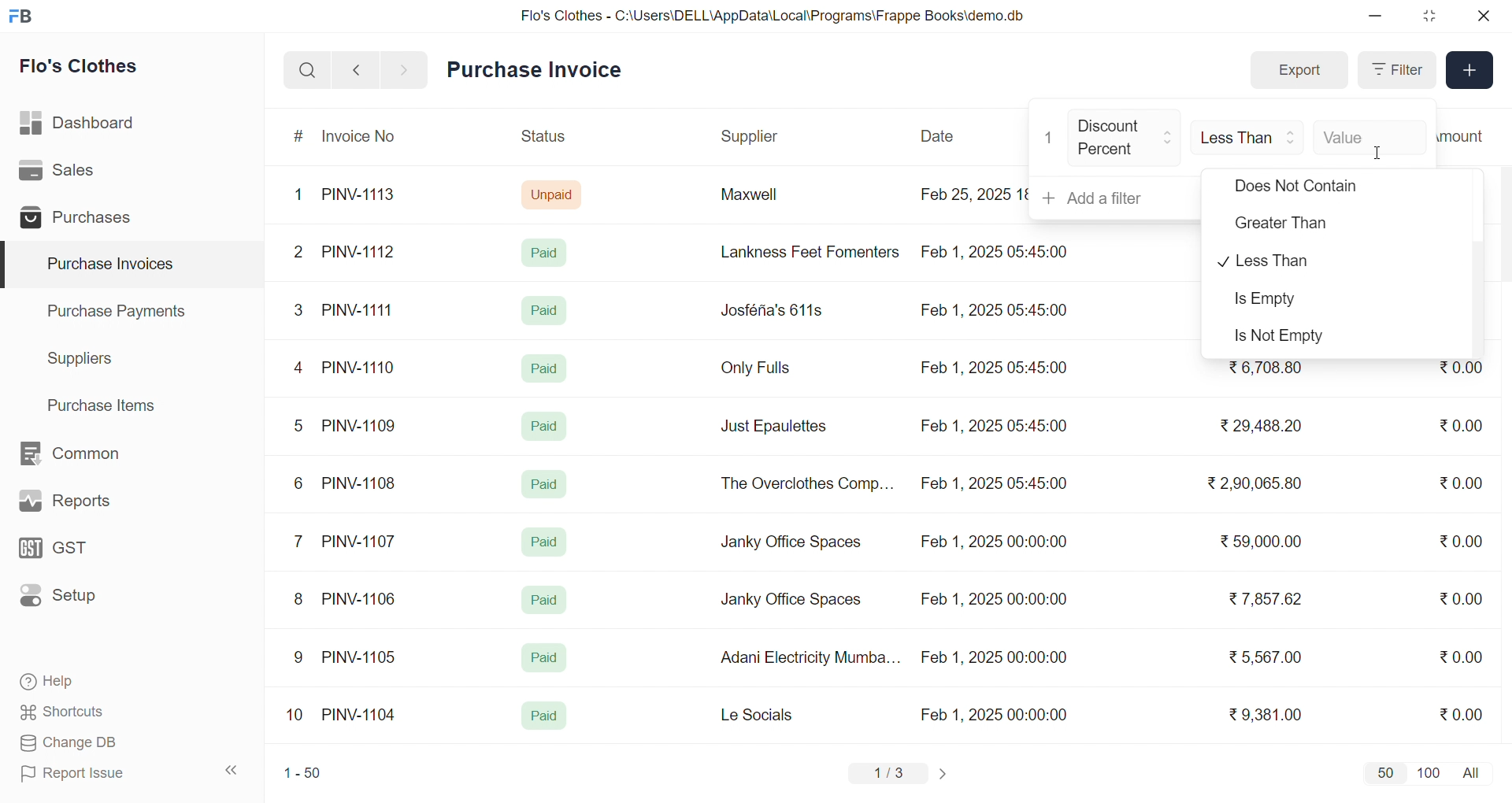 This screenshot has width=1512, height=803. What do you see at coordinates (547, 424) in the screenshot?
I see `Paid` at bounding box center [547, 424].